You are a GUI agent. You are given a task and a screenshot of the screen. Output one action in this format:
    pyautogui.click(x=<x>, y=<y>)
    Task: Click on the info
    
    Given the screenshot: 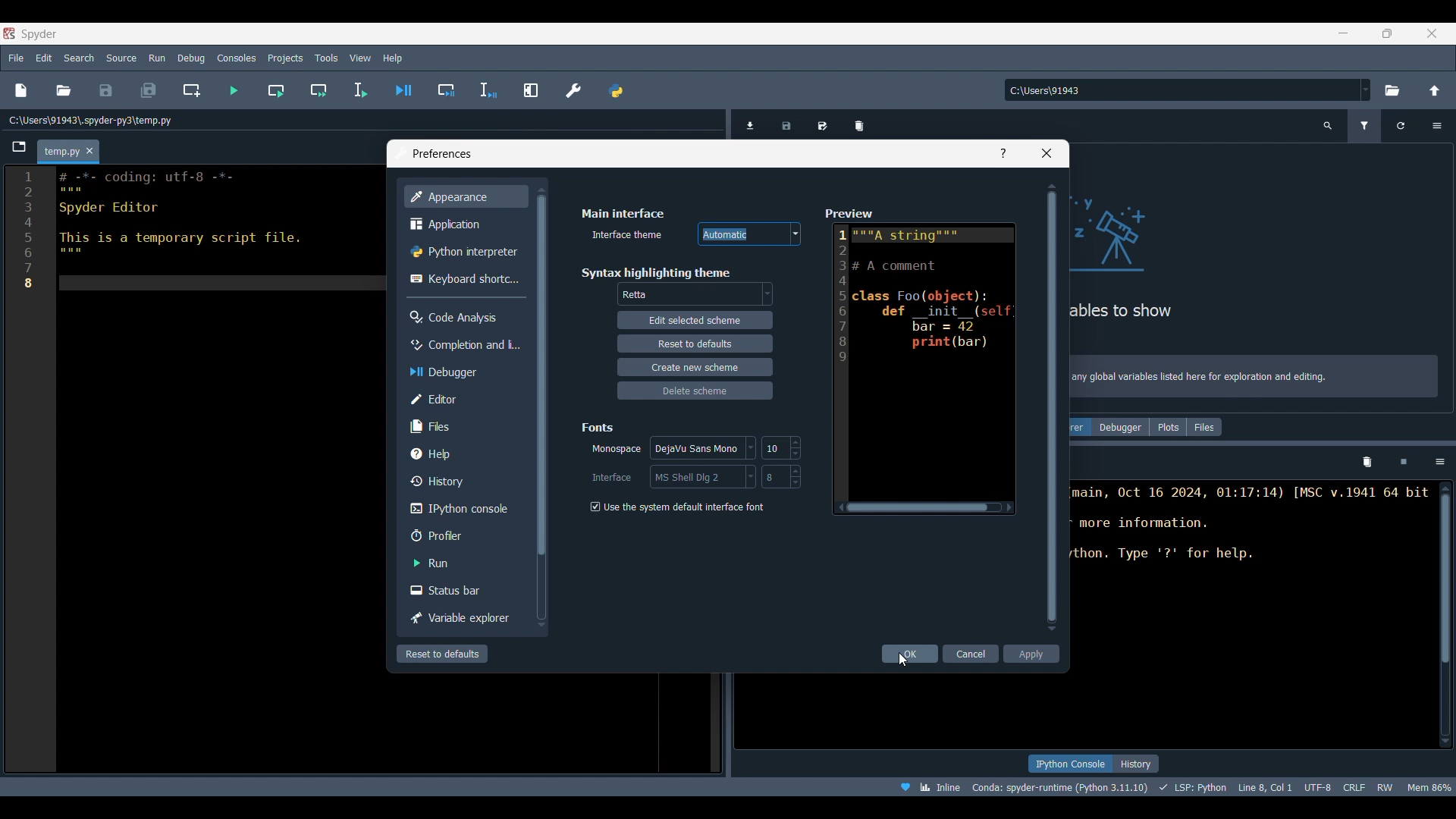 What is the action you would take?
    pyautogui.click(x=1256, y=378)
    